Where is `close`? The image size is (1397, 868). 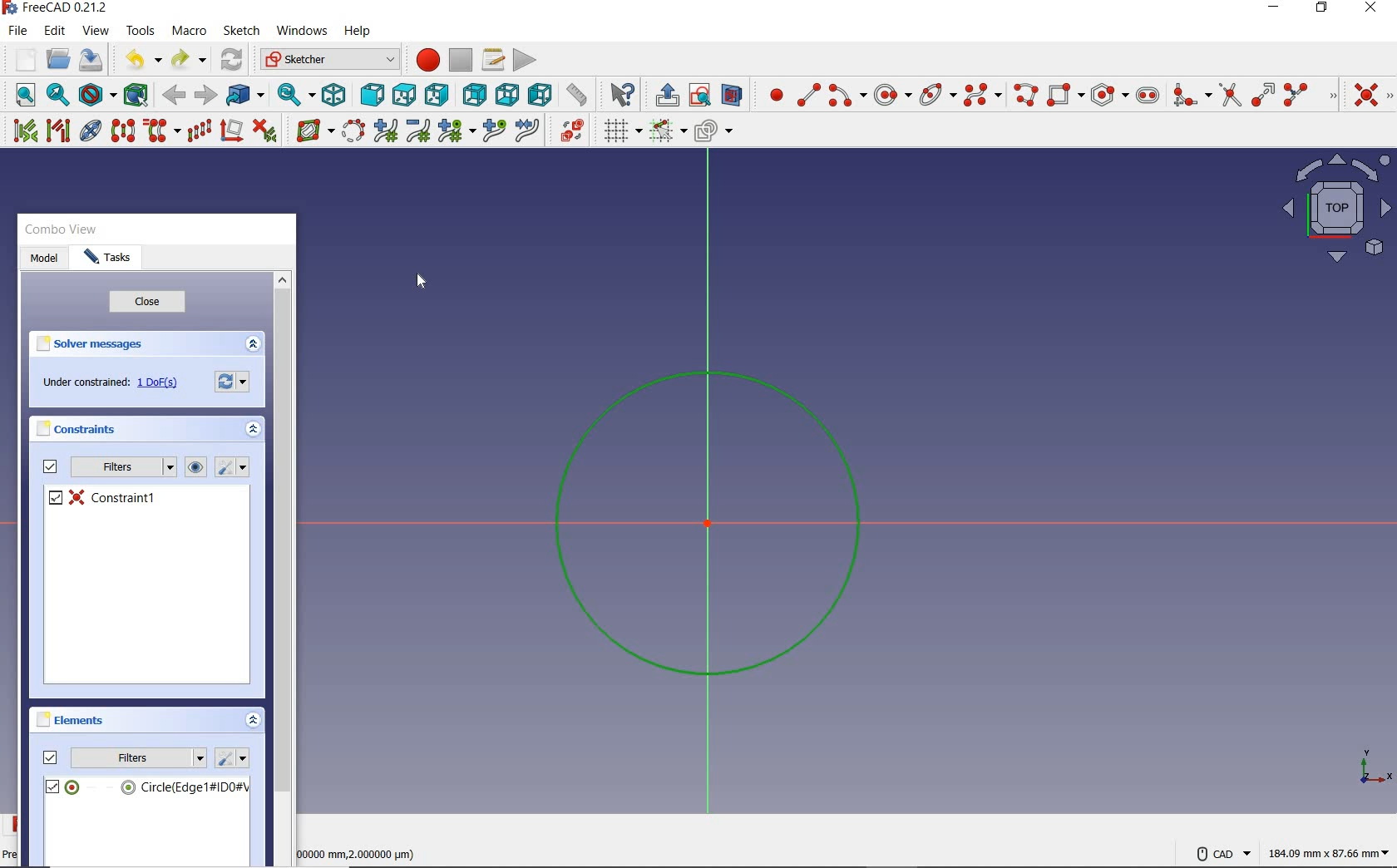
close is located at coordinates (148, 302).